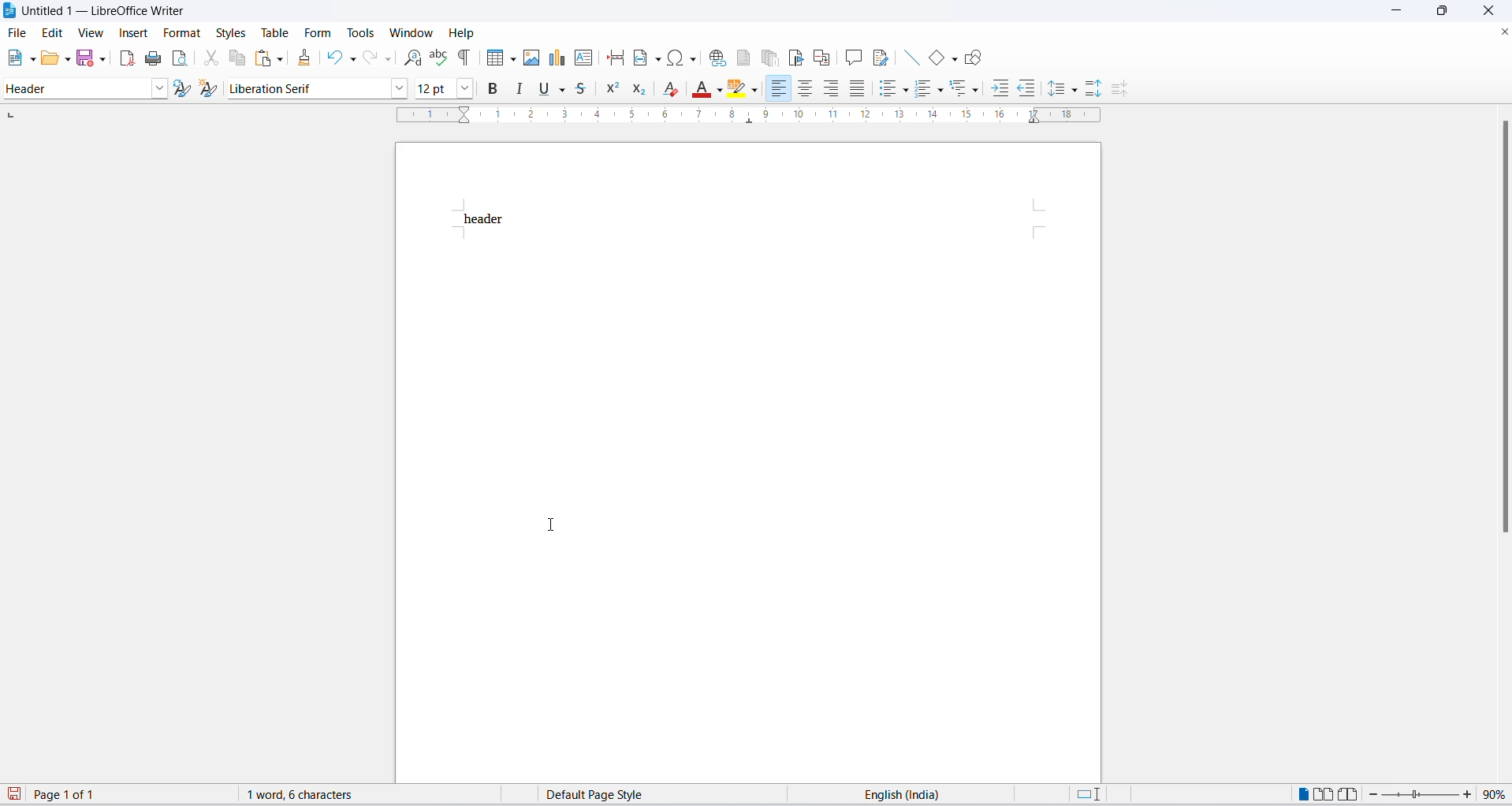 The width and height of the screenshot is (1512, 806). What do you see at coordinates (229, 31) in the screenshot?
I see `styles` at bounding box center [229, 31].